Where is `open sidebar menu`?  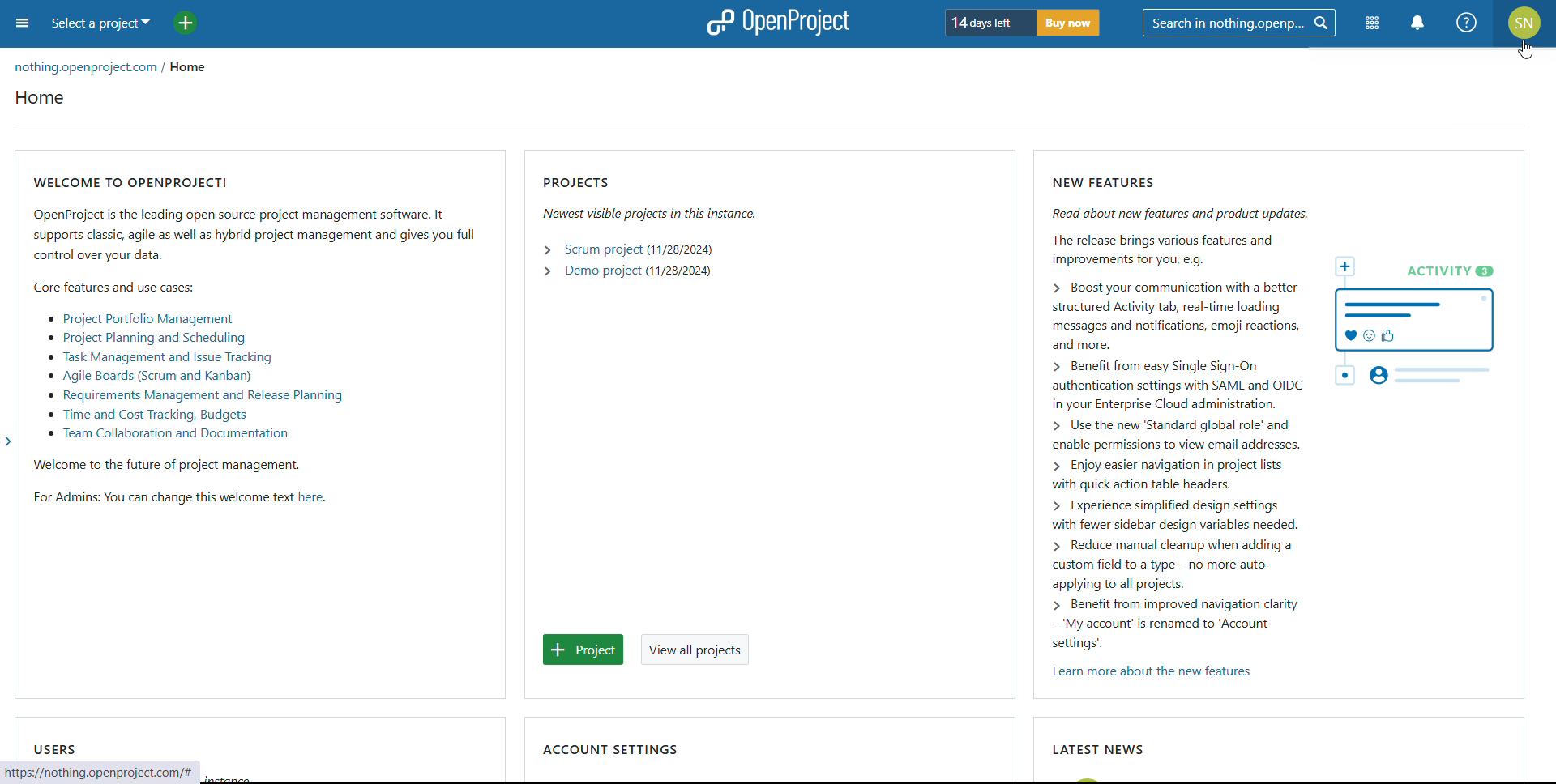 open sidebar menu is located at coordinates (22, 23).